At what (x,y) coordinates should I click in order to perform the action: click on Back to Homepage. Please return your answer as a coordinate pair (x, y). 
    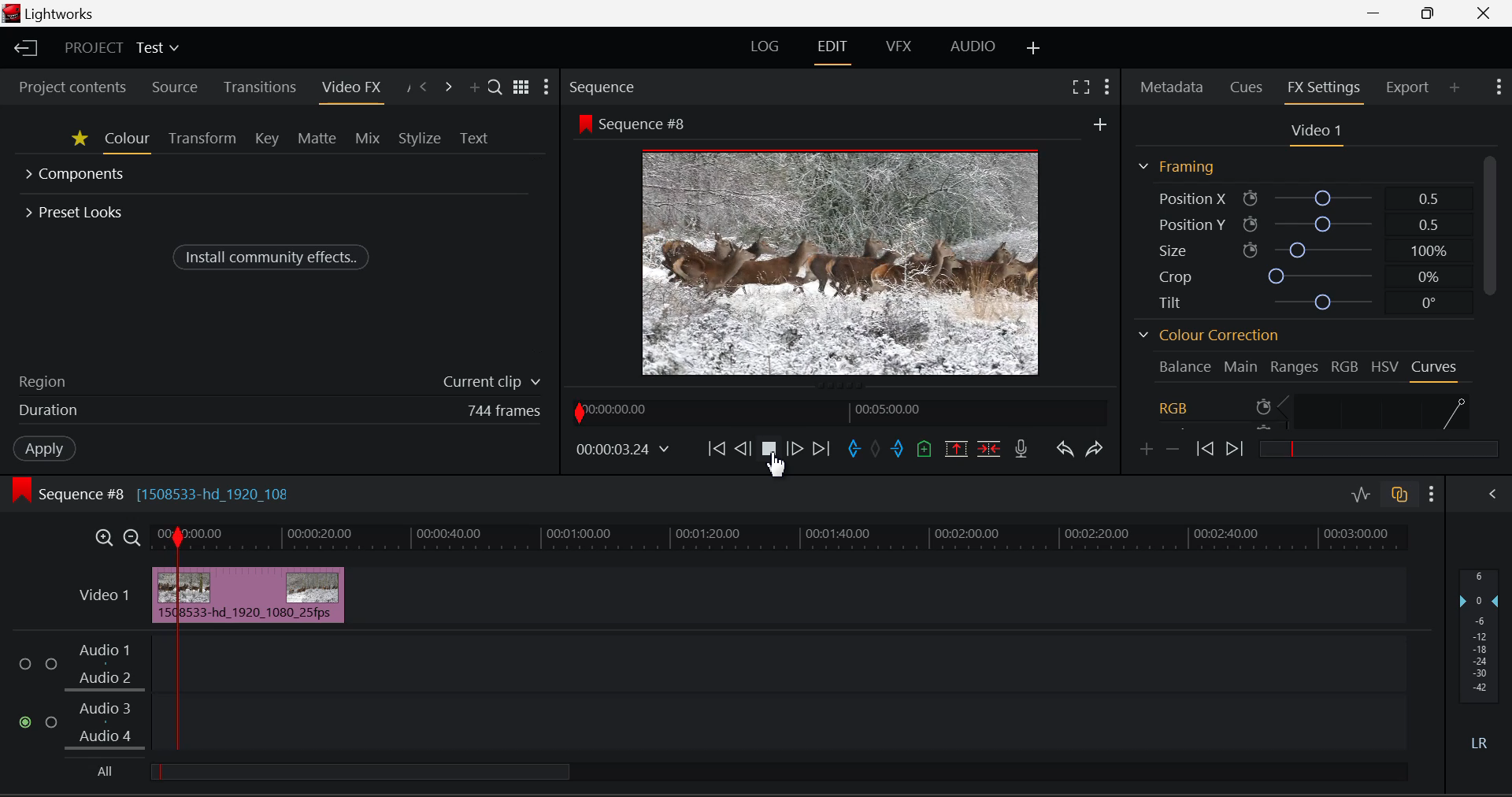
    Looking at the image, I should click on (23, 48).